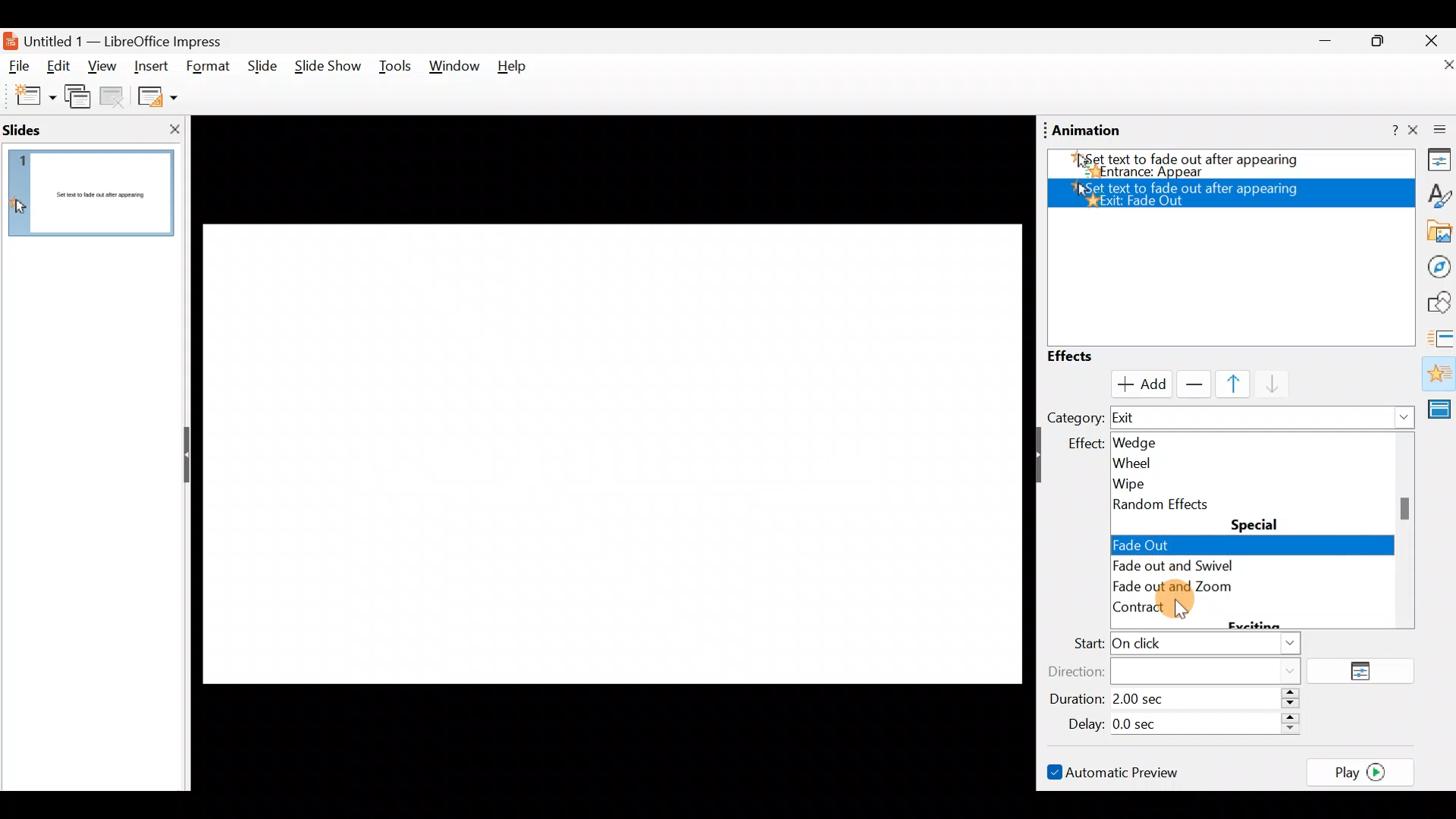  I want to click on Remove effect, so click(1191, 384).